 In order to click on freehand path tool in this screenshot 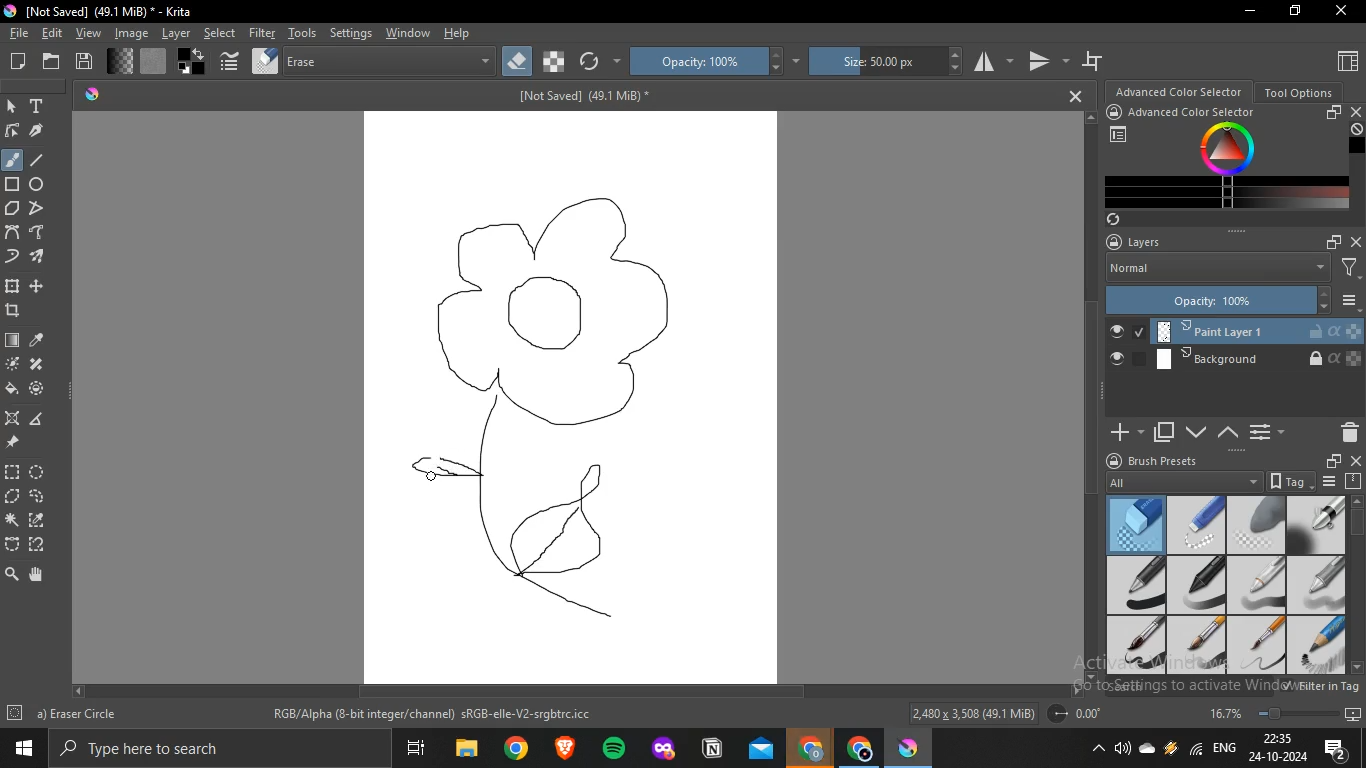, I will do `click(39, 231)`.